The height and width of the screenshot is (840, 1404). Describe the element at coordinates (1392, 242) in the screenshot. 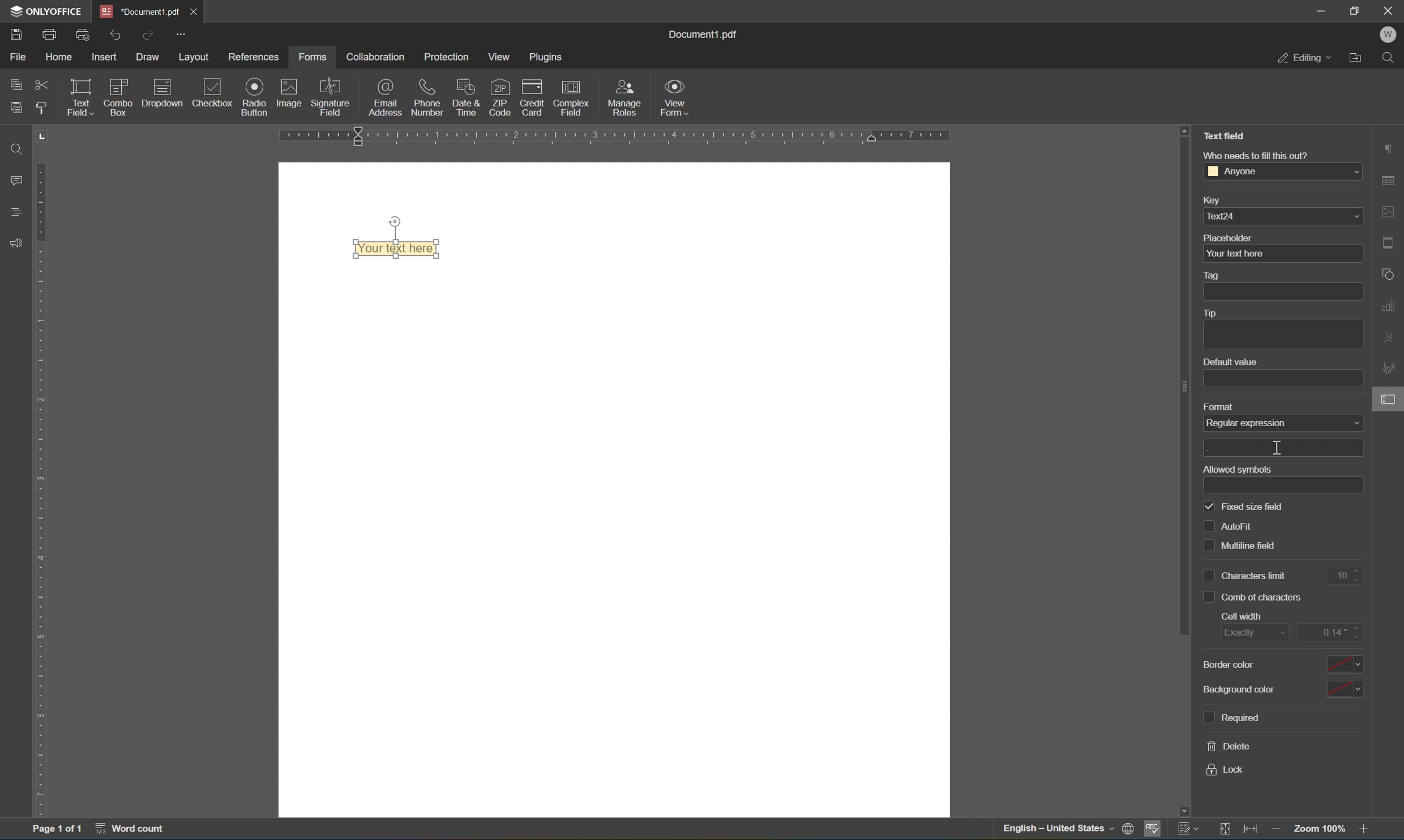

I see `header and footer settings` at that location.